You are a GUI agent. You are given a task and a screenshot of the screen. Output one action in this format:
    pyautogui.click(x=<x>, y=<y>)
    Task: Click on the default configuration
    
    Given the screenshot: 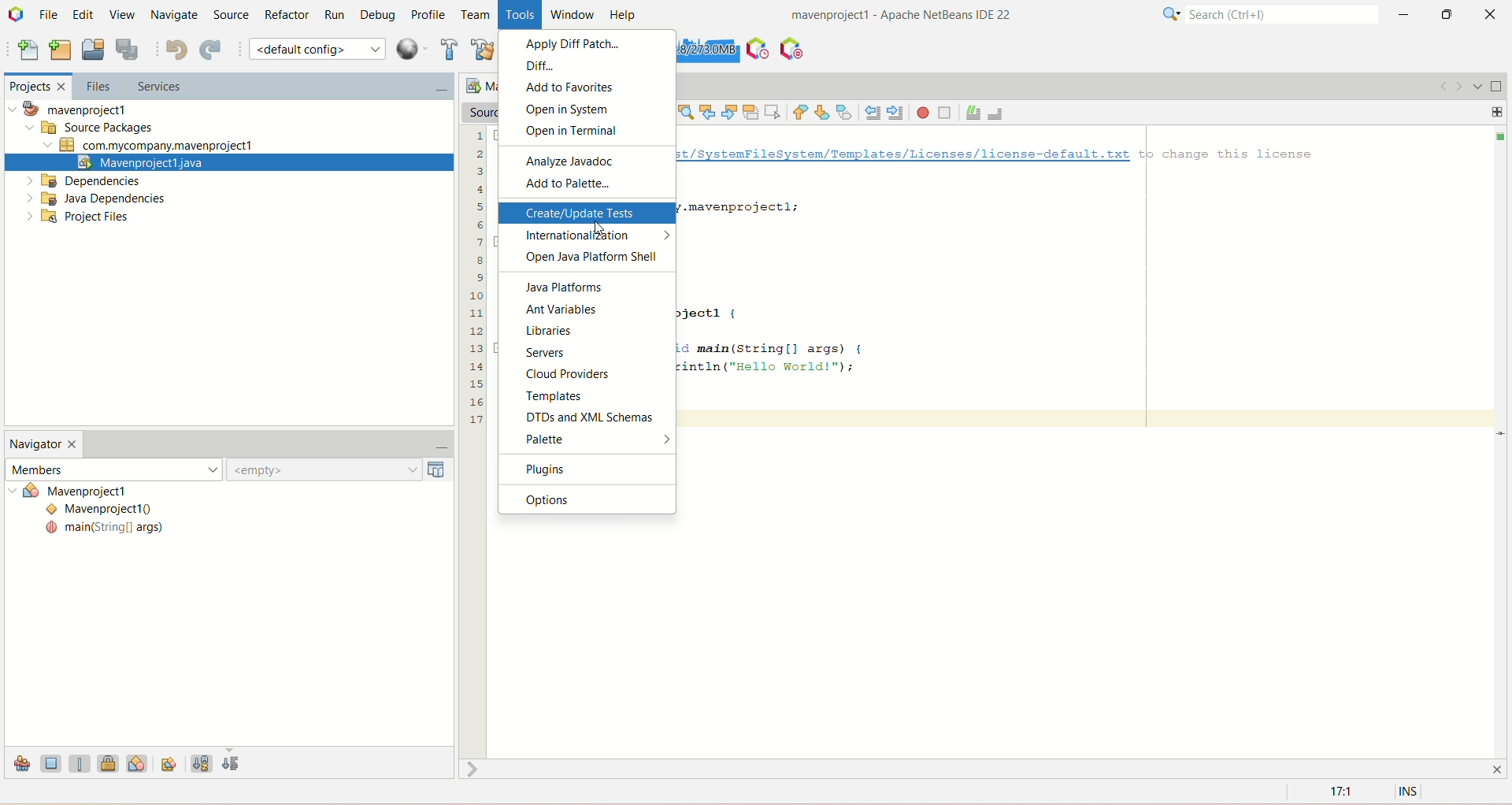 What is the action you would take?
    pyautogui.click(x=317, y=48)
    